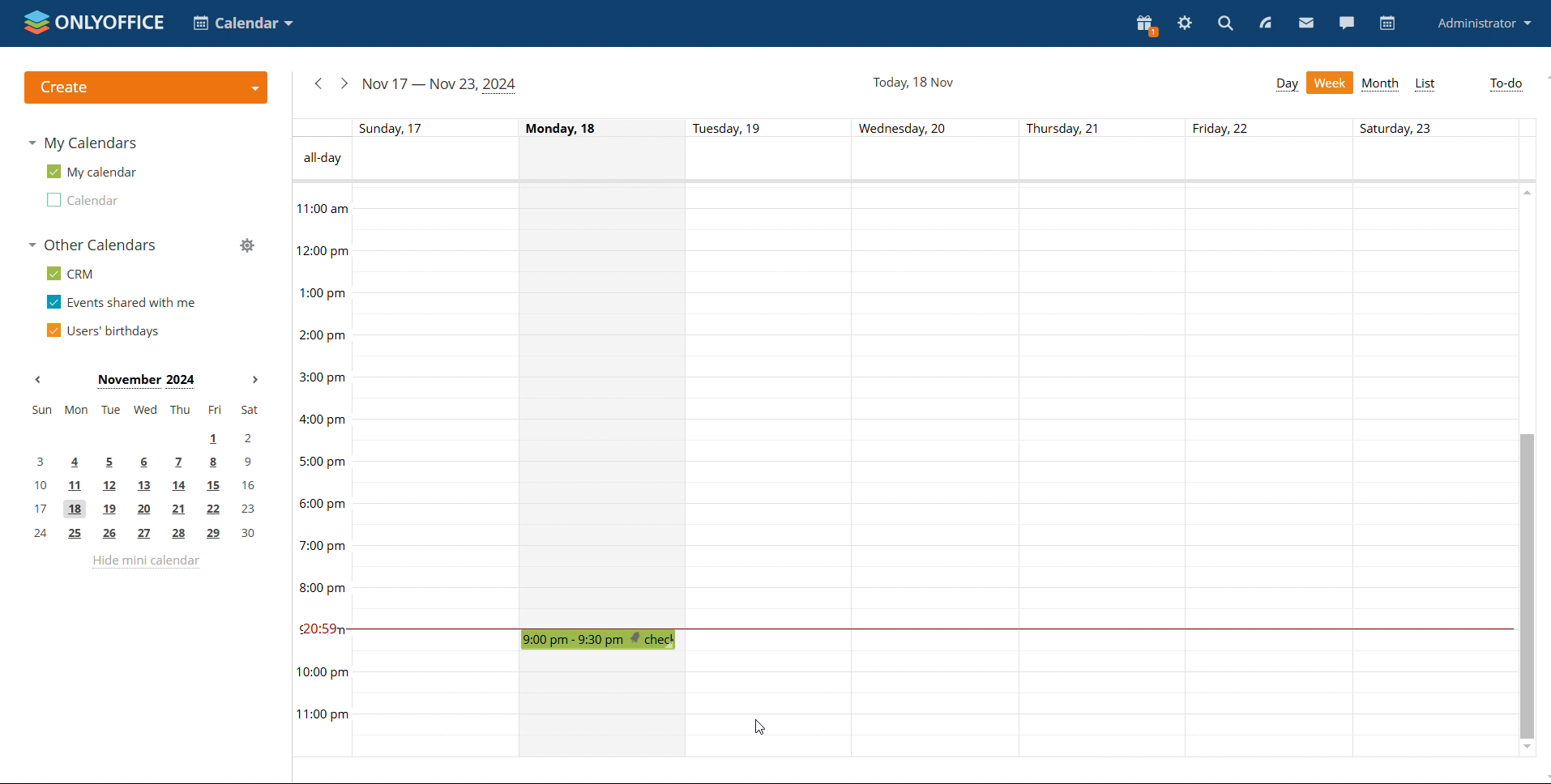  Describe the element at coordinates (1272, 471) in the screenshot. I see `Friday` at that location.